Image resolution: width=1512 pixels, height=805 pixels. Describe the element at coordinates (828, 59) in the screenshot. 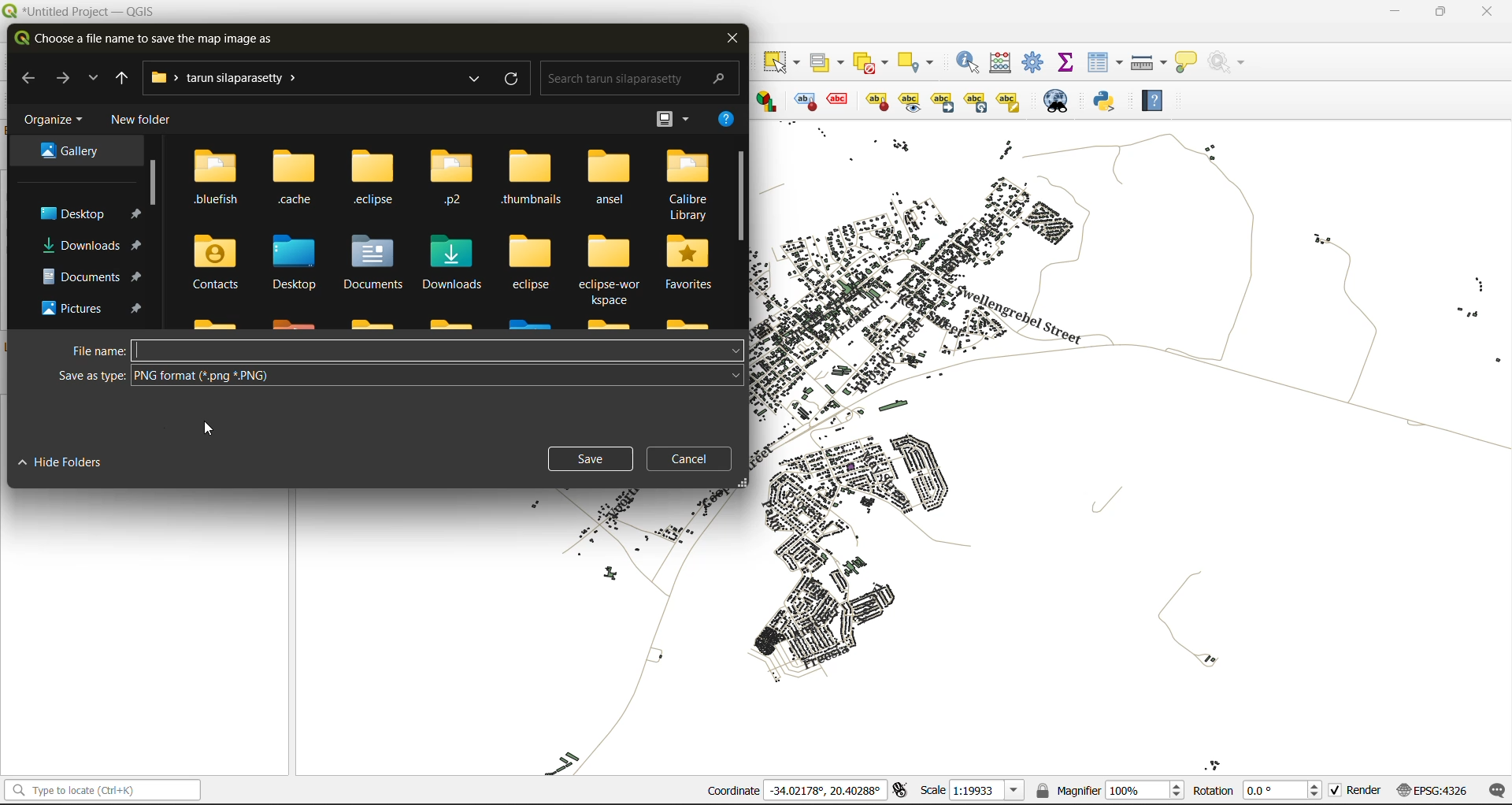

I see `select value` at that location.